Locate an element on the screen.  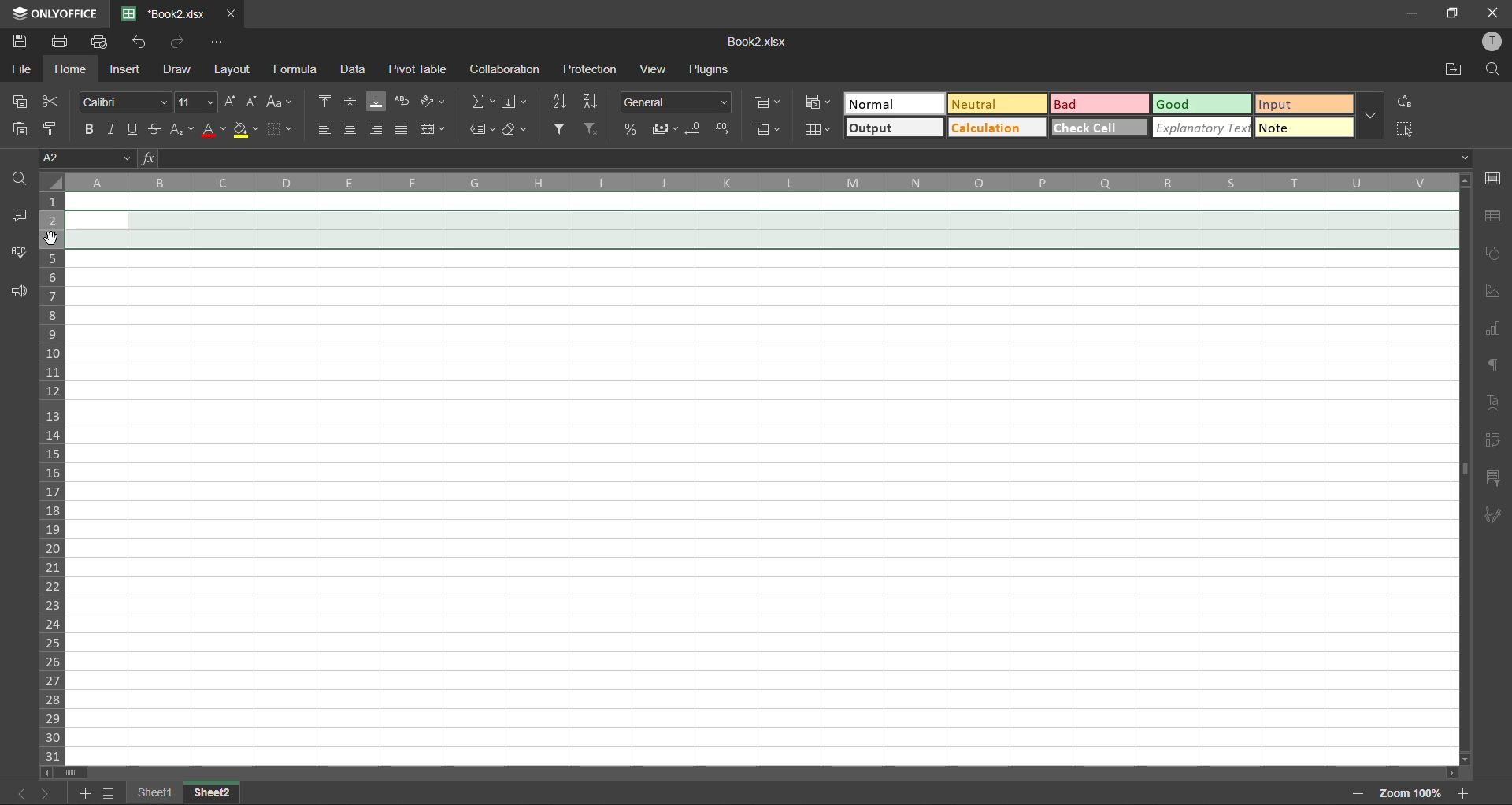
bad is located at coordinates (1099, 102).